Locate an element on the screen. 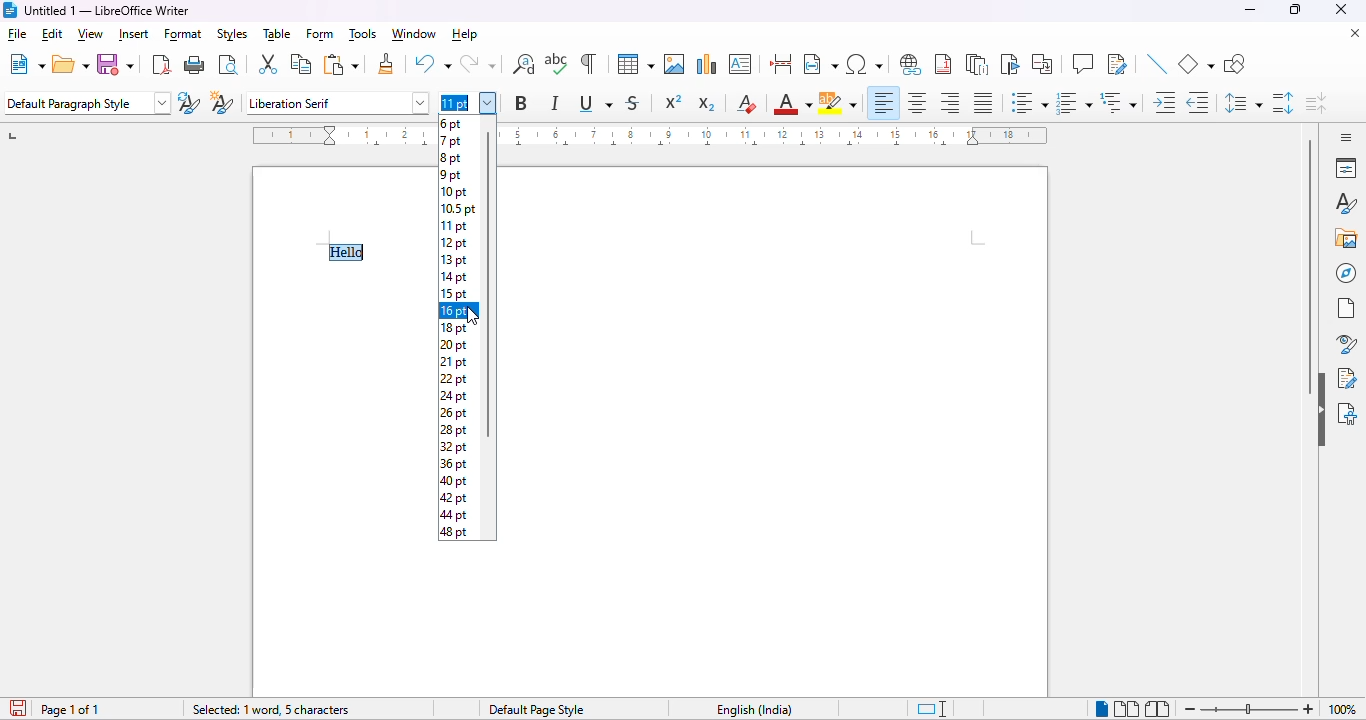 The image size is (1366, 720). strikethrough is located at coordinates (633, 103).